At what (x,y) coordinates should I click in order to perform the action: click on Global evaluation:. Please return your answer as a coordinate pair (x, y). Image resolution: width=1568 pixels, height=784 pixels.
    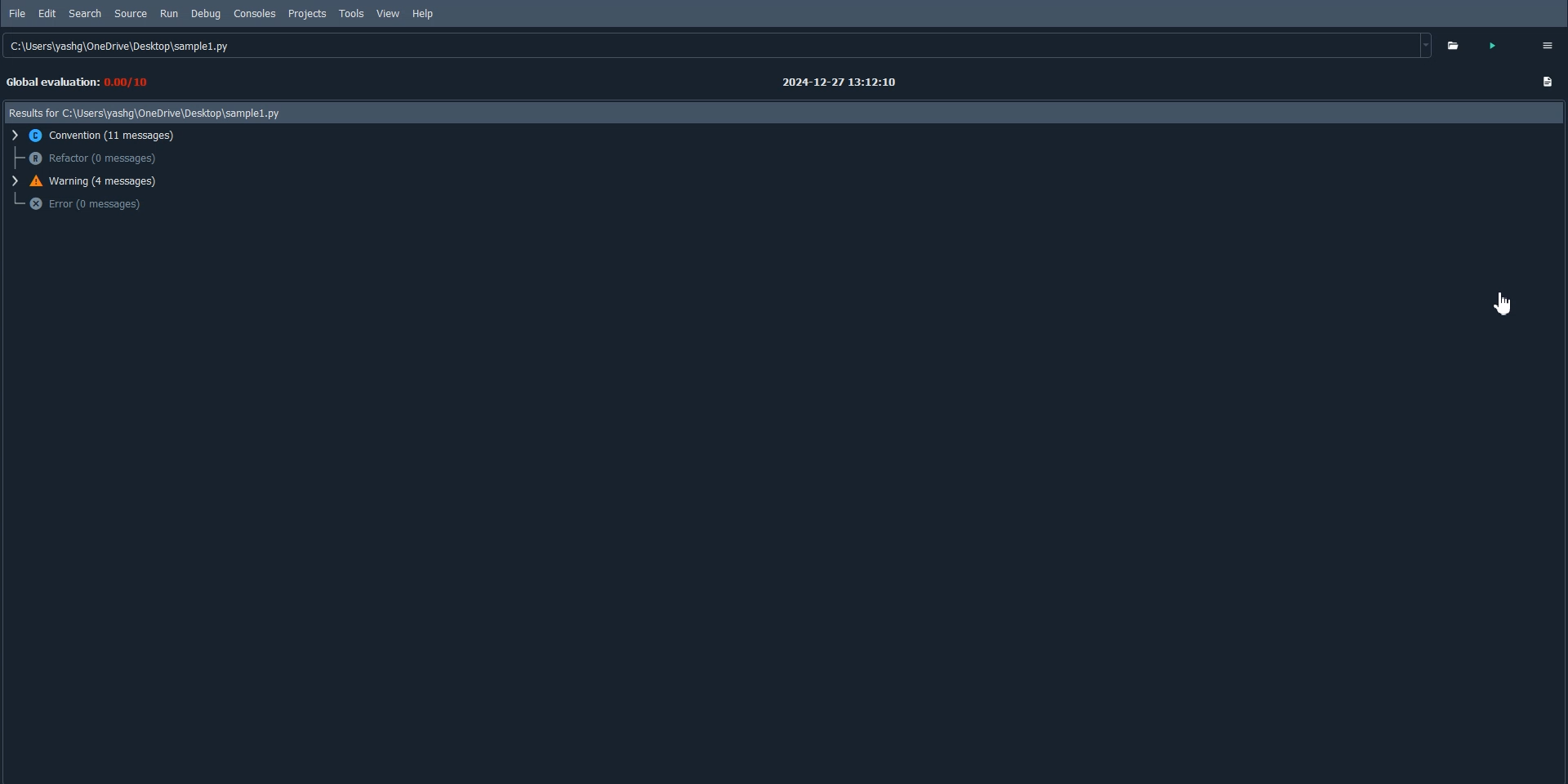
    Looking at the image, I should click on (83, 82).